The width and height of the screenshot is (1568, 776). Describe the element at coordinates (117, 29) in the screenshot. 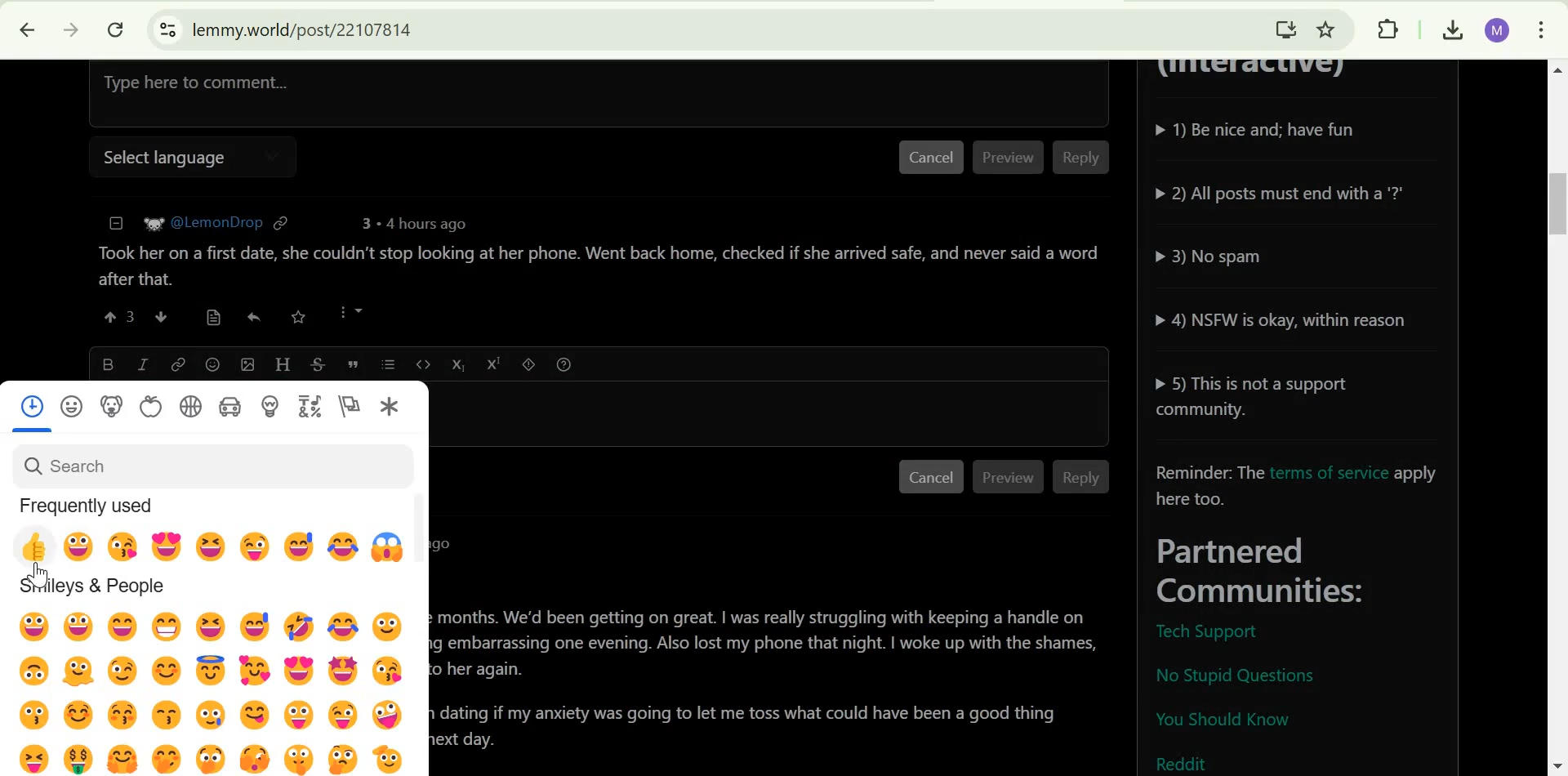

I see `Reload this page` at that location.